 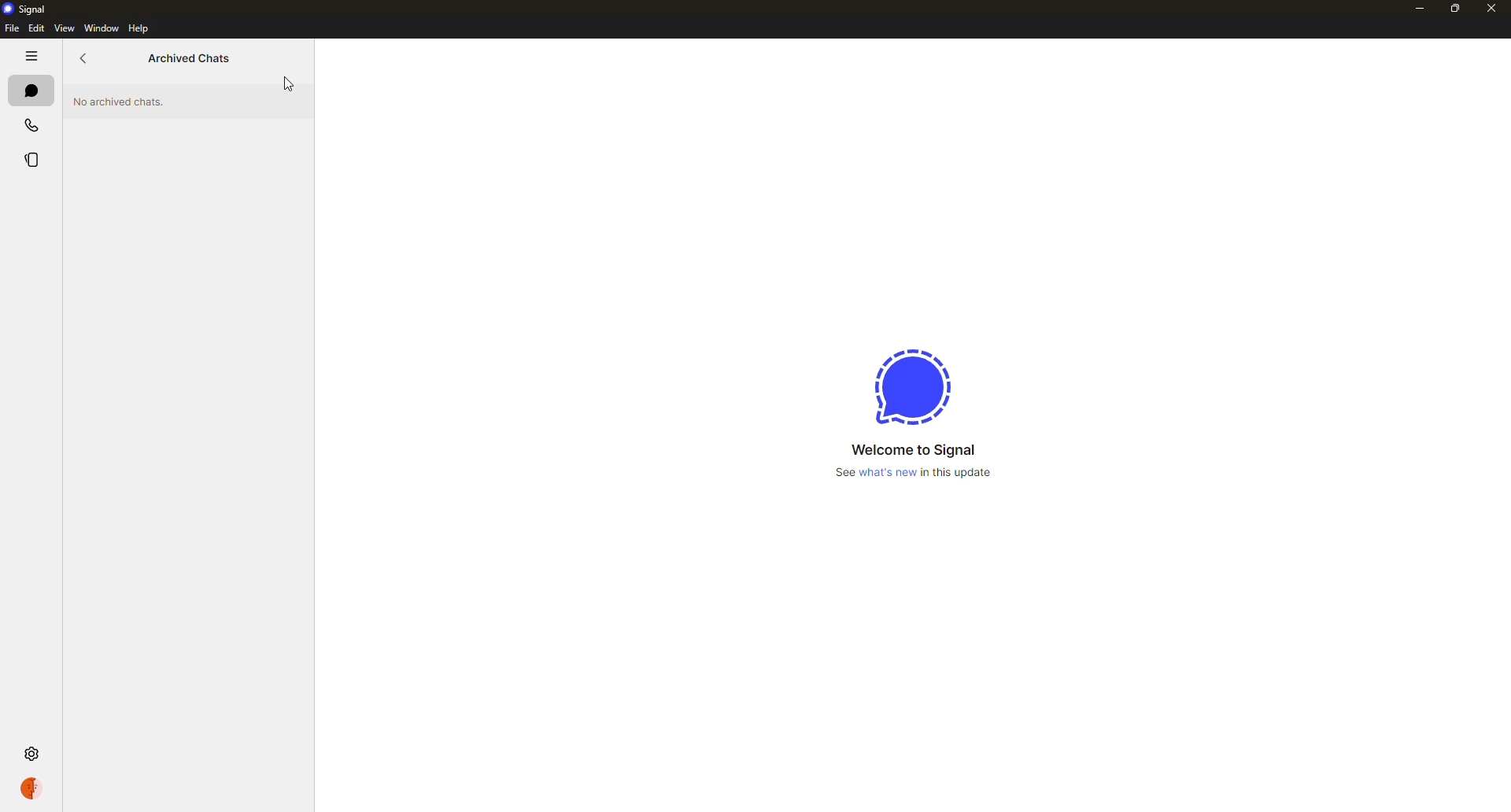 What do you see at coordinates (190, 57) in the screenshot?
I see `archived chats` at bounding box center [190, 57].